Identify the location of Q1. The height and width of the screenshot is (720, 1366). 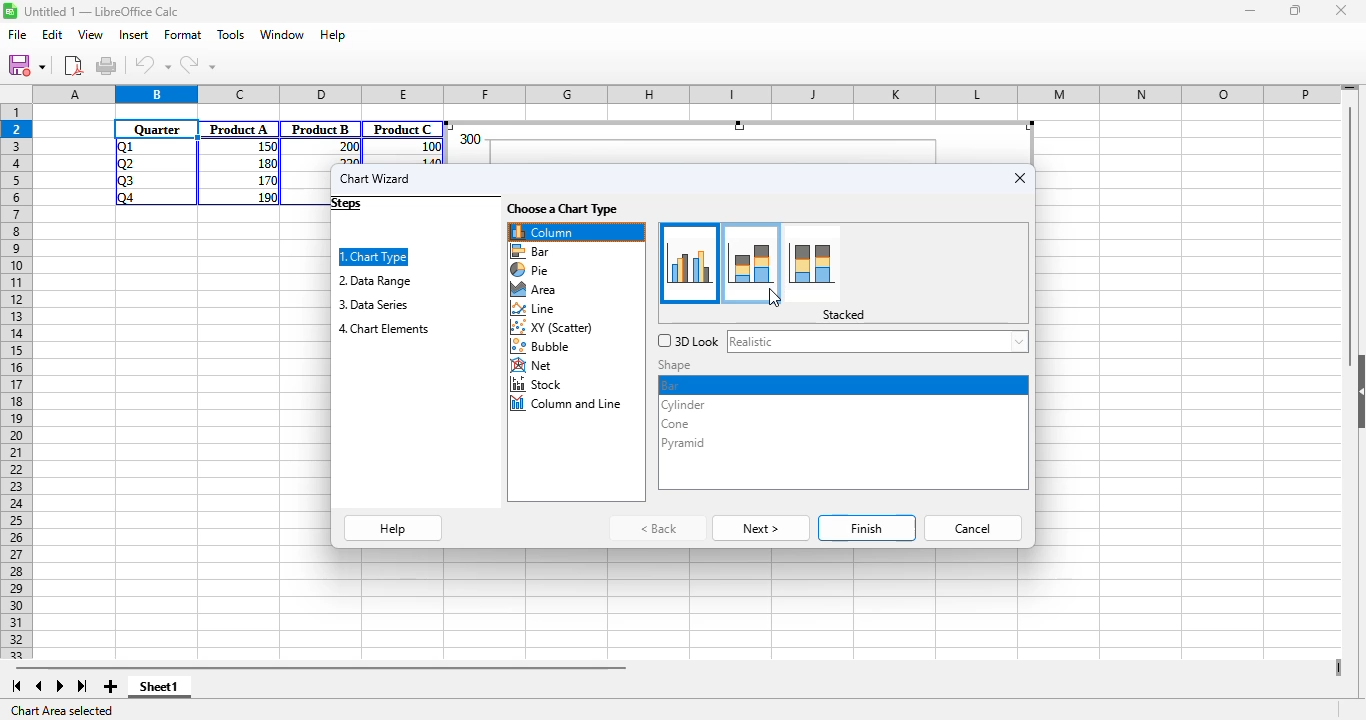
(123, 146).